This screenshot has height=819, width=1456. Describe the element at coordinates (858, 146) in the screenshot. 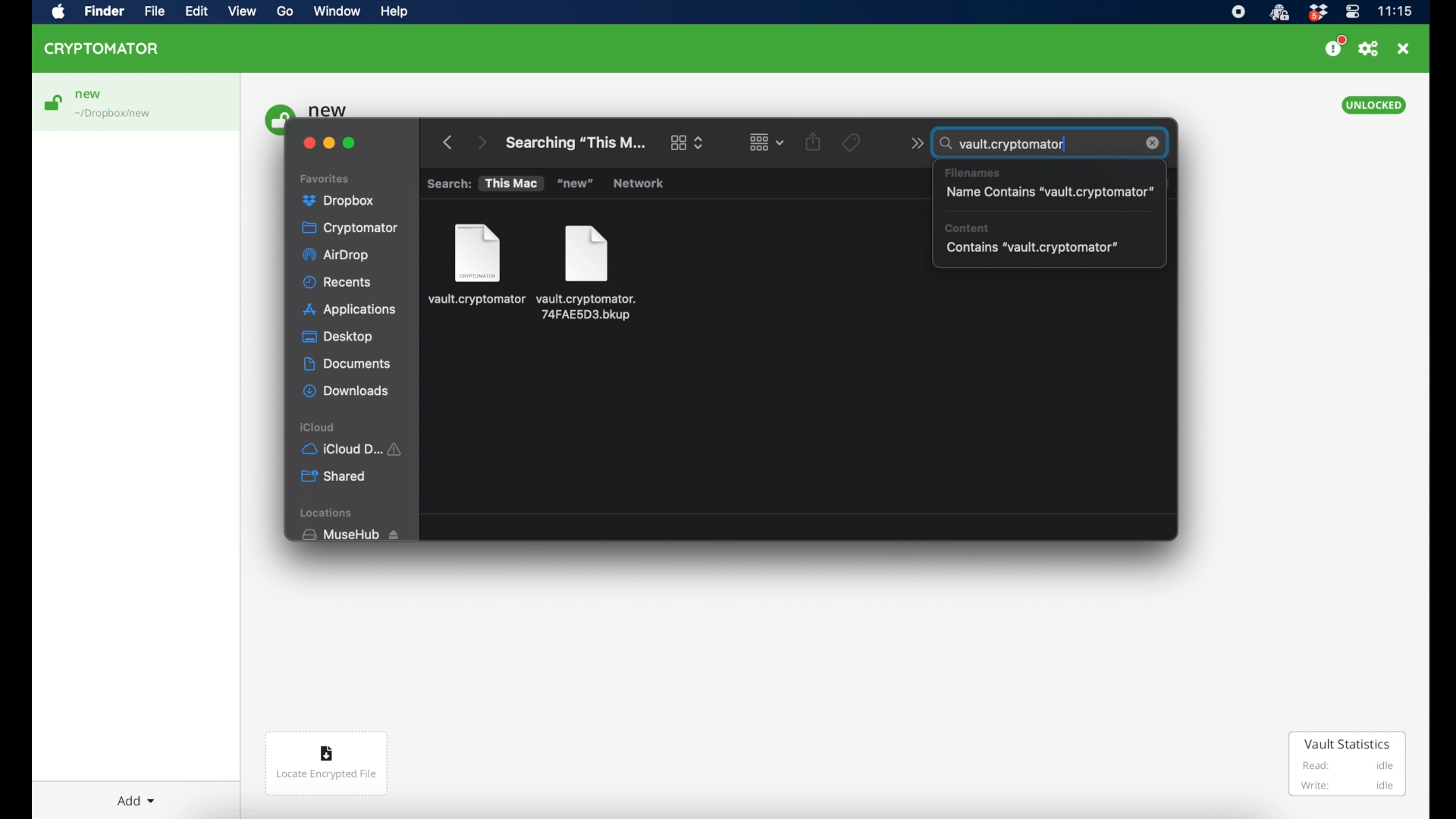

I see `Tags` at that location.